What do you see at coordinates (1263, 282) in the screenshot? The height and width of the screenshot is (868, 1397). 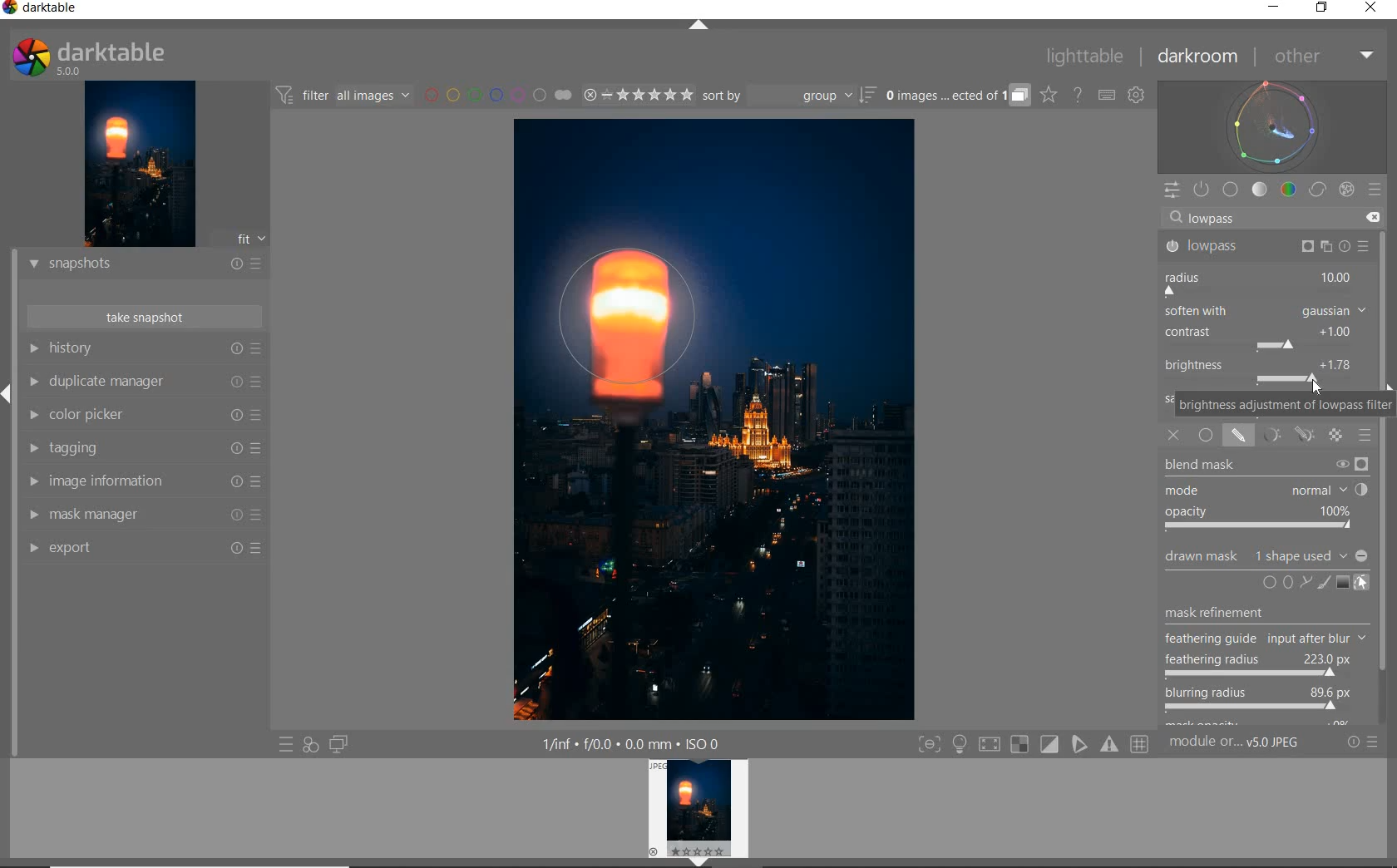 I see `RADIUS` at bounding box center [1263, 282].